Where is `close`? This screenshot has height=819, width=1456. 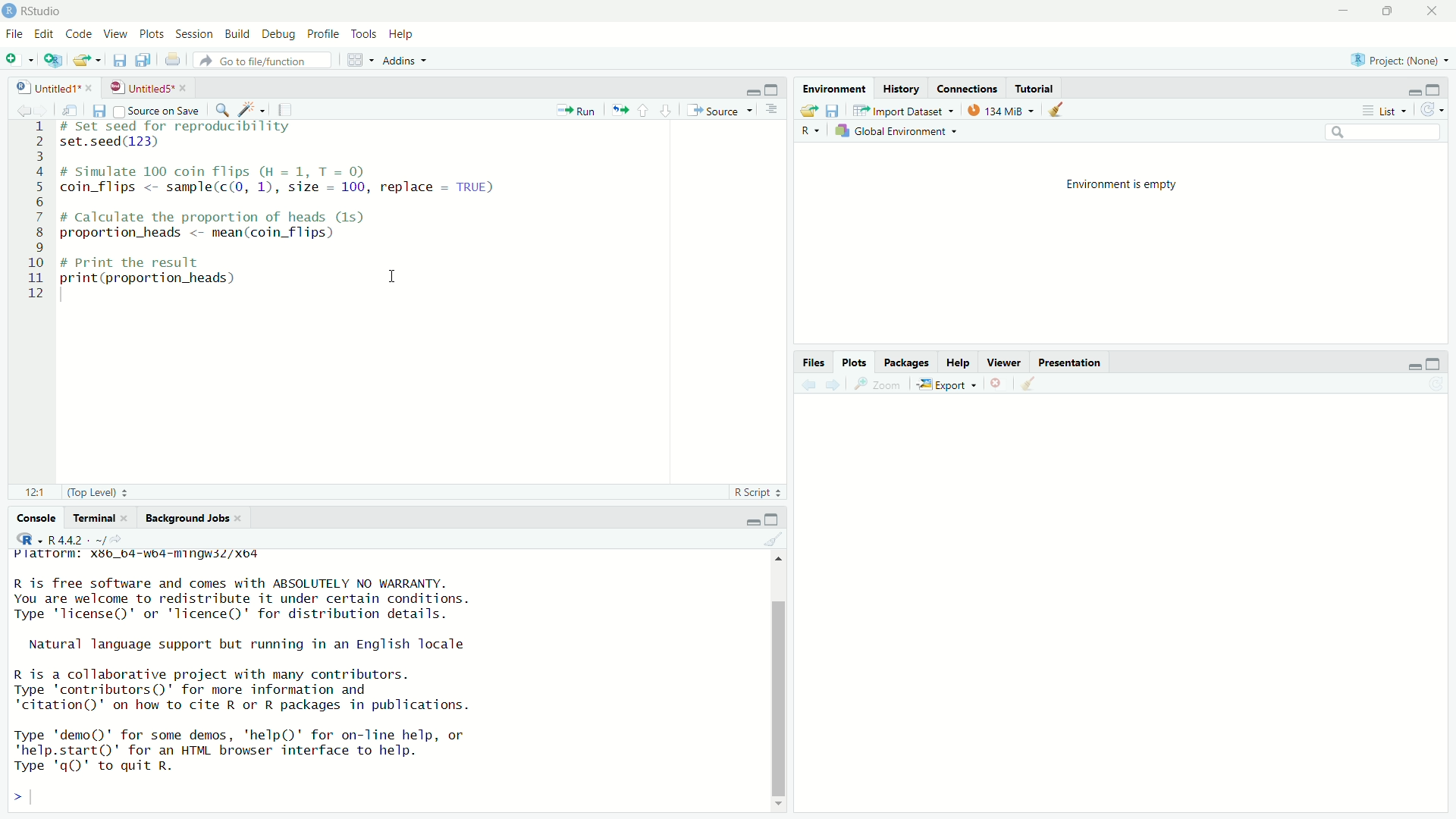
close is located at coordinates (1434, 9).